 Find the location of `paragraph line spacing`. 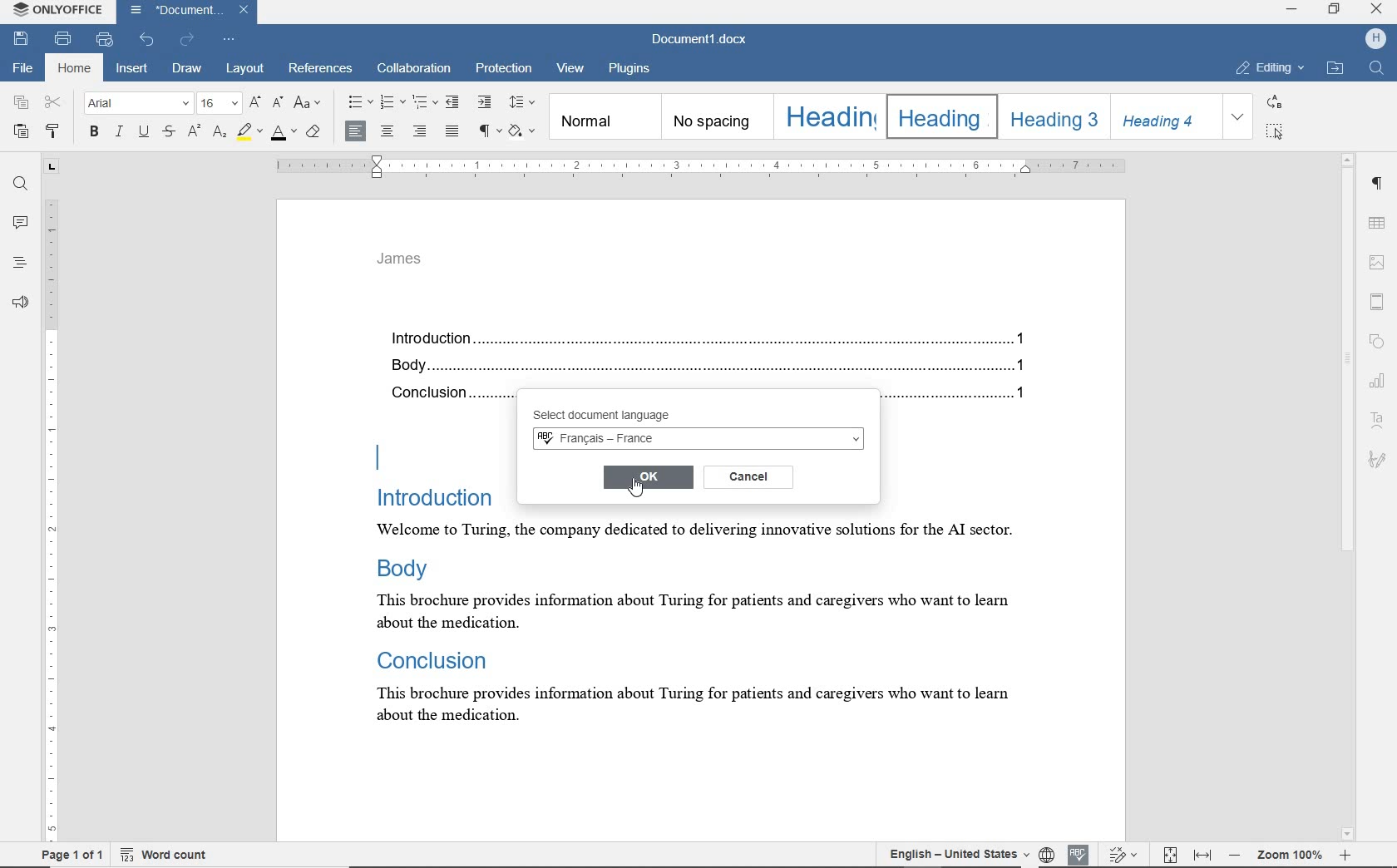

paragraph line spacing is located at coordinates (522, 102).